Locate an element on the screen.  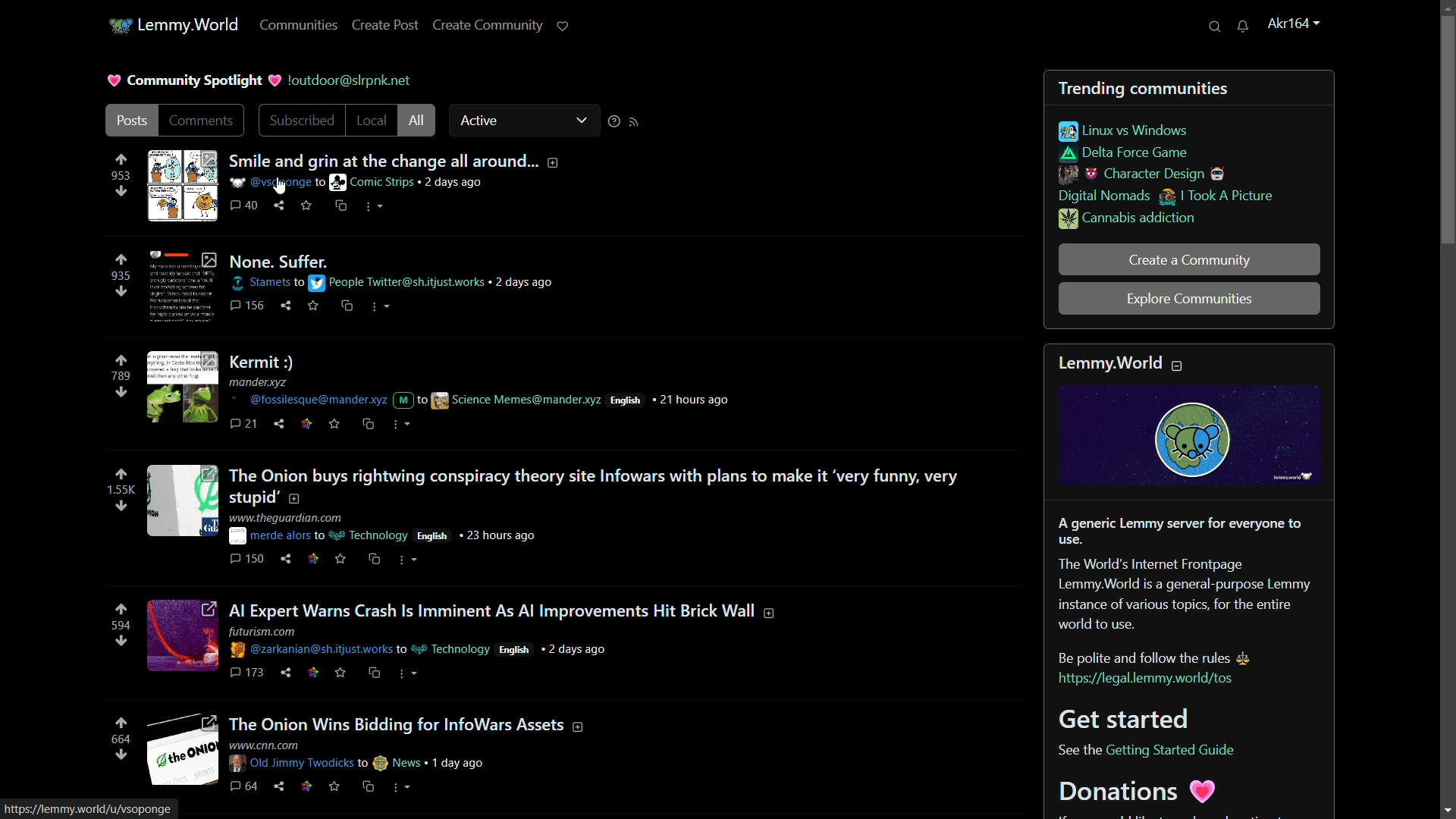
number of votes is located at coordinates (121, 275).